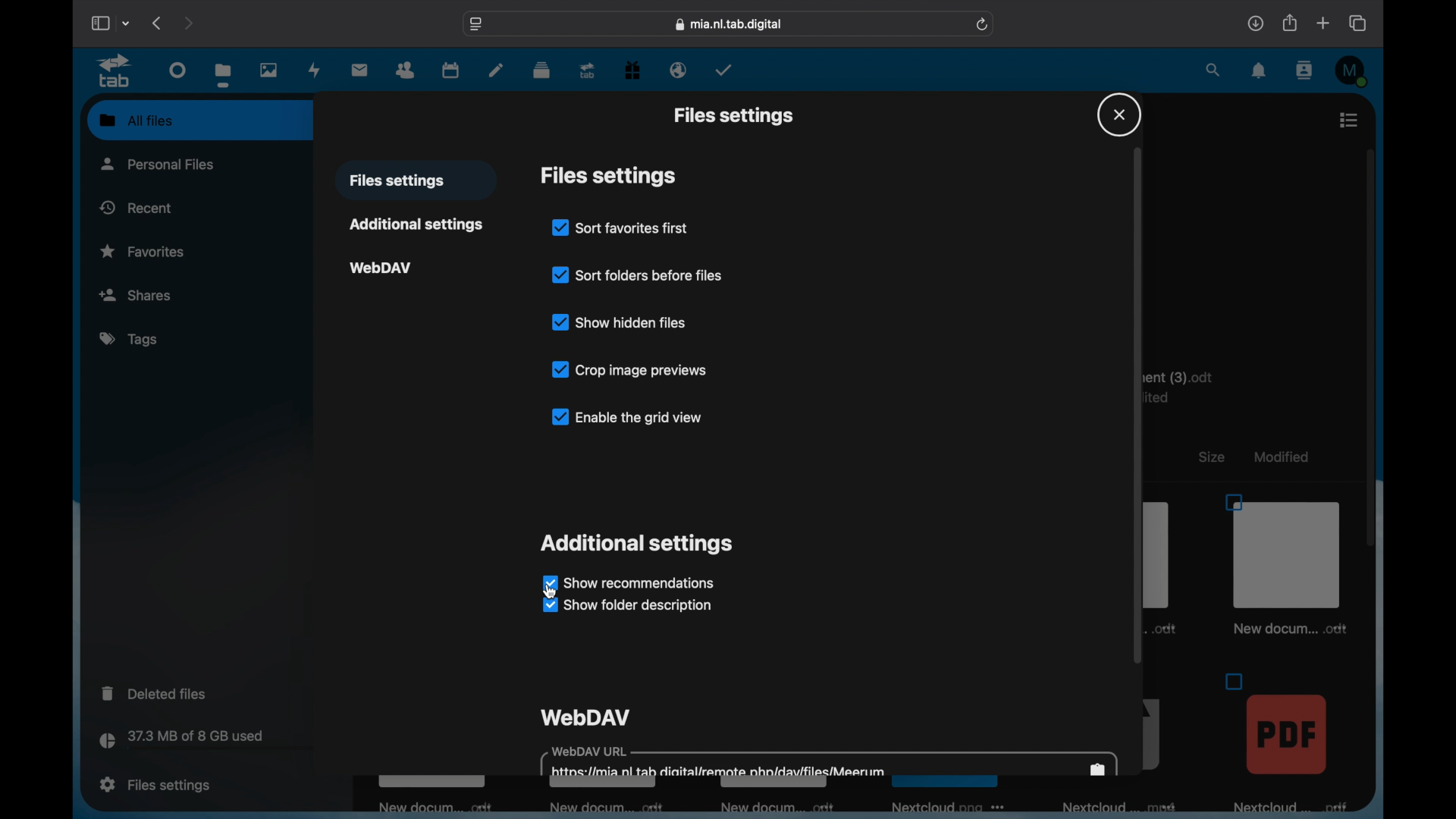 This screenshot has height=819, width=1456. I want to click on scroll box, so click(1138, 406).